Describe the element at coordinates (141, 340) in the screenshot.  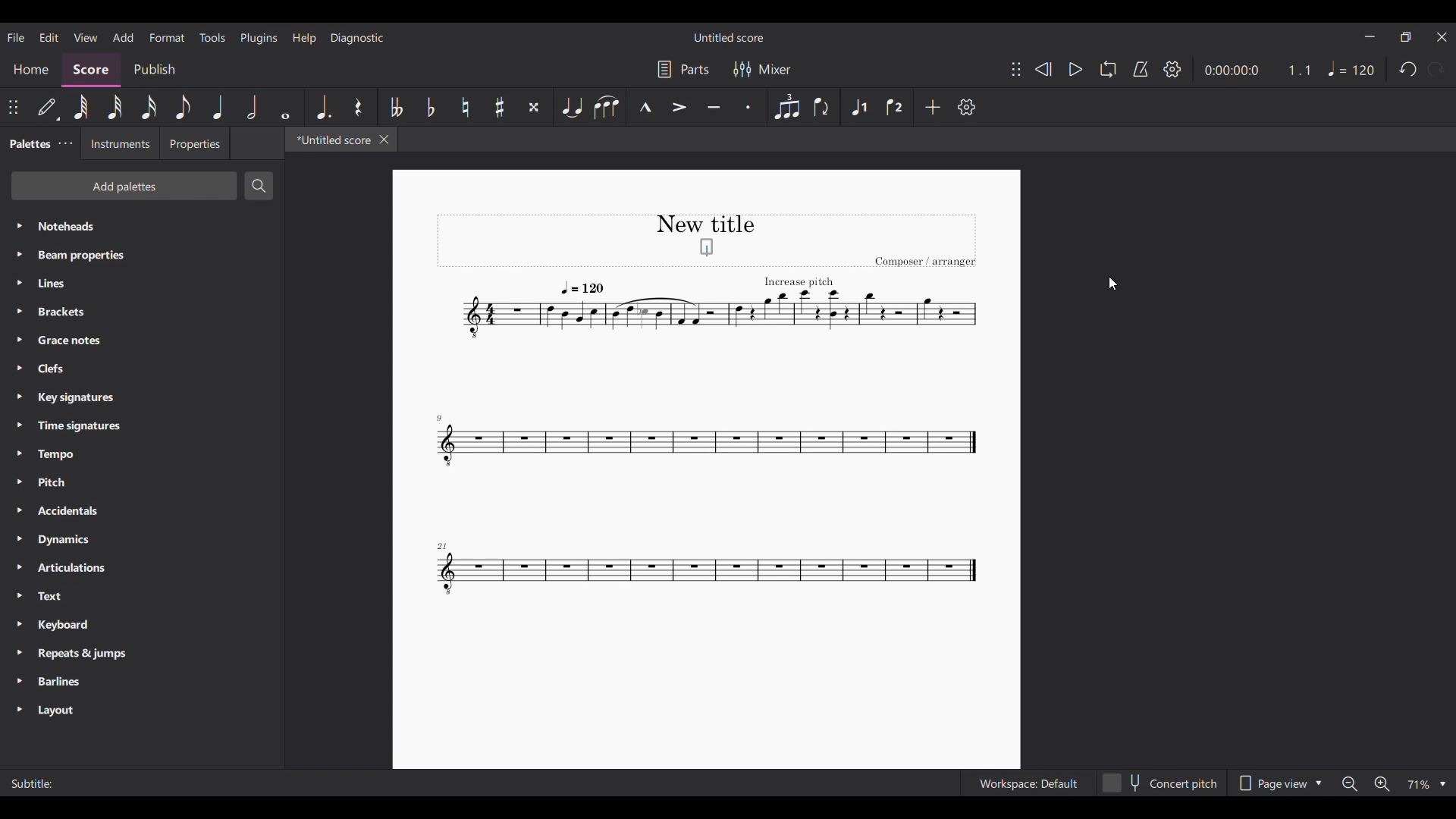
I see `Grace notes` at that location.